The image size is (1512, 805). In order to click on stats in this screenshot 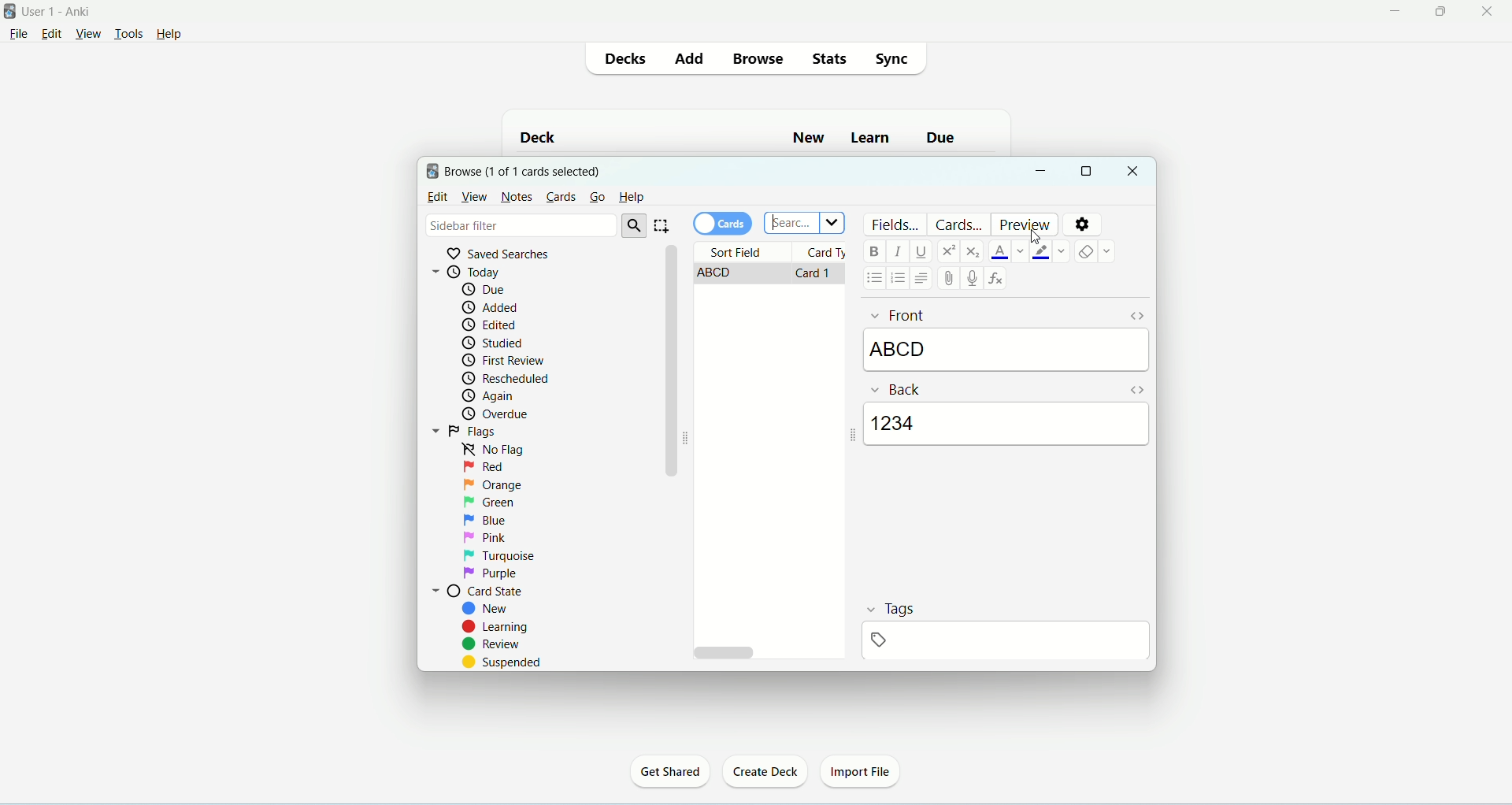, I will do `click(828, 58)`.